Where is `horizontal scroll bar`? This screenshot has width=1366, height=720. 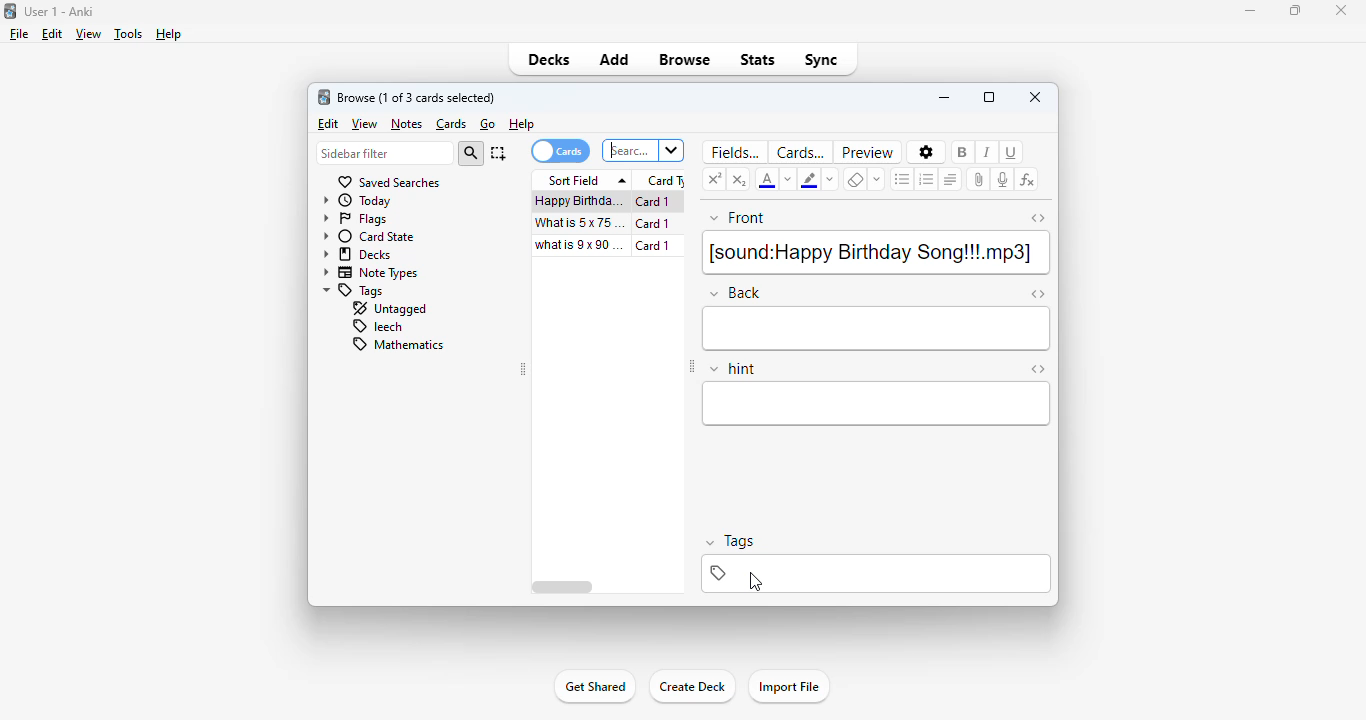 horizontal scroll bar is located at coordinates (563, 587).